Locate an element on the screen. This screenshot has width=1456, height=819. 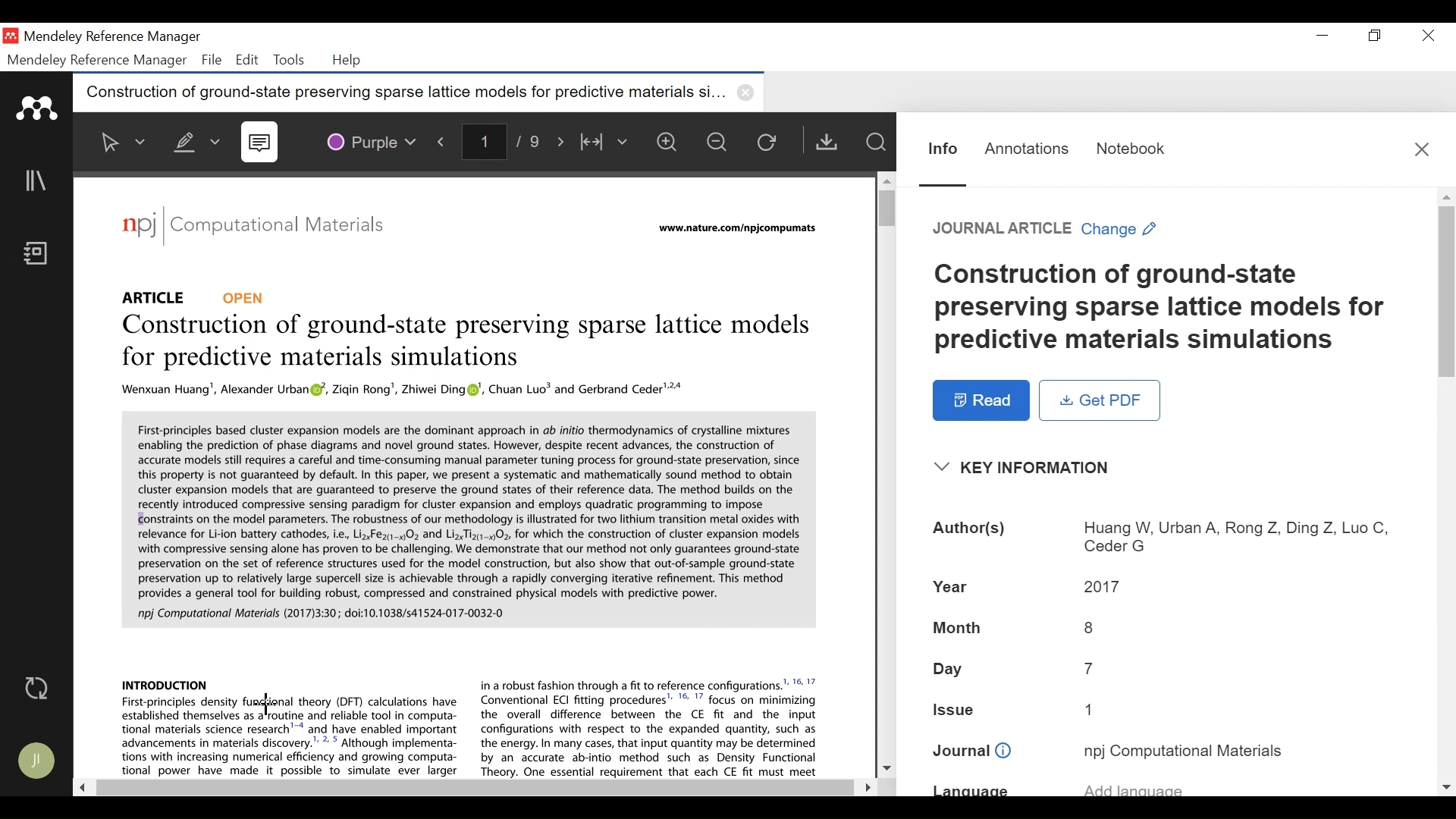
File is located at coordinates (212, 60).